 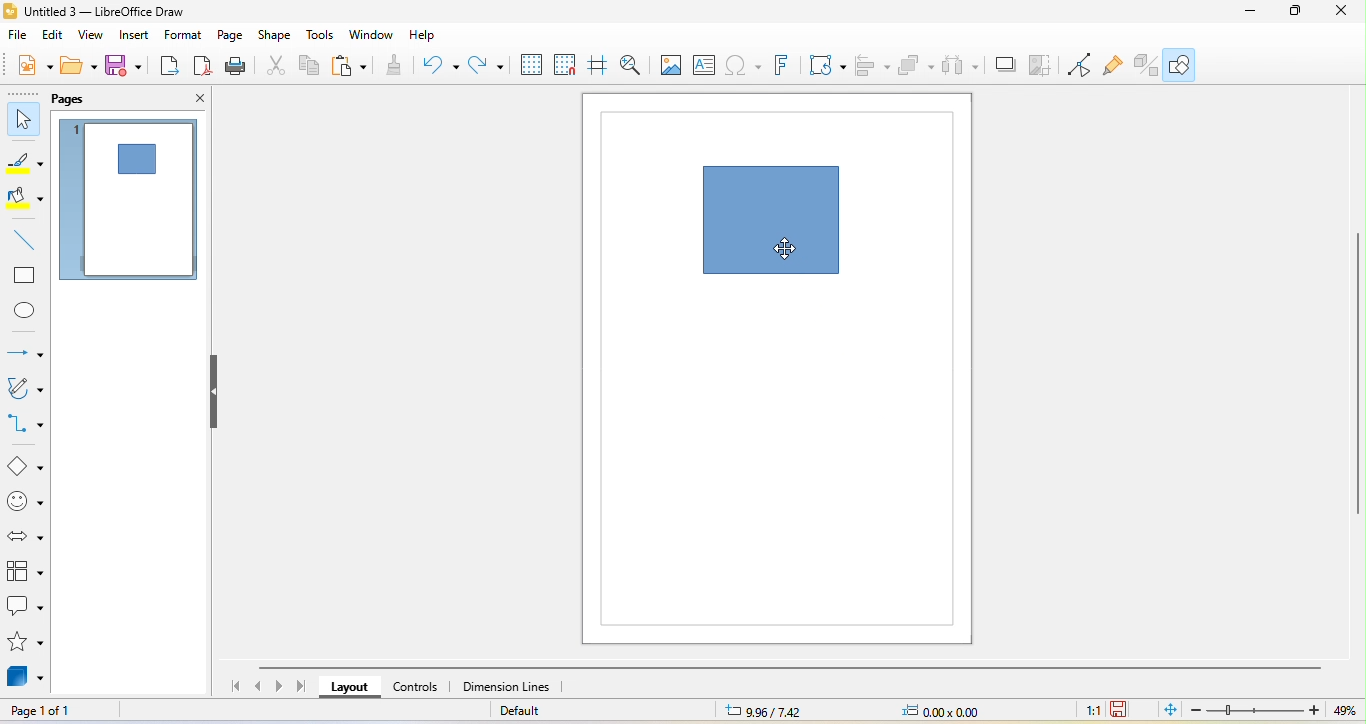 What do you see at coordinates (78, 100) in the screenshot?
I see `pages` at bounding box center [78, 100].